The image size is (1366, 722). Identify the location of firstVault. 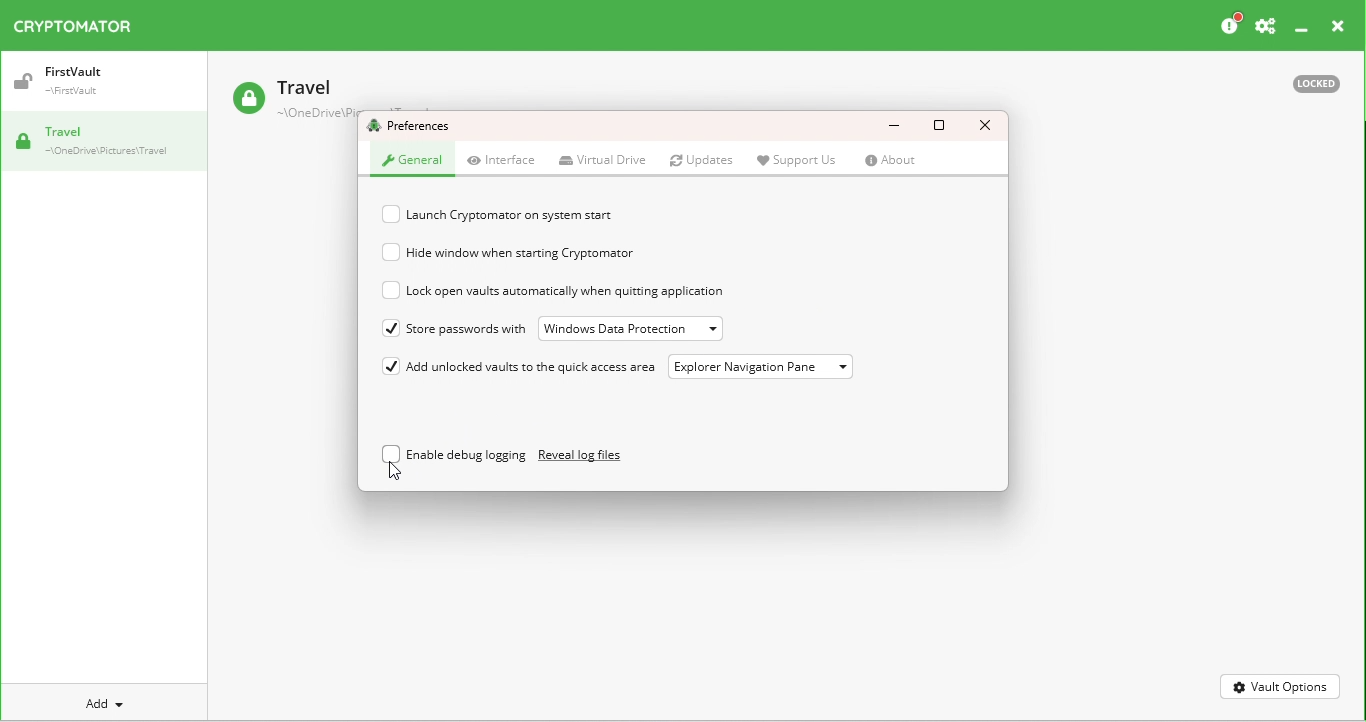
(82, 84).